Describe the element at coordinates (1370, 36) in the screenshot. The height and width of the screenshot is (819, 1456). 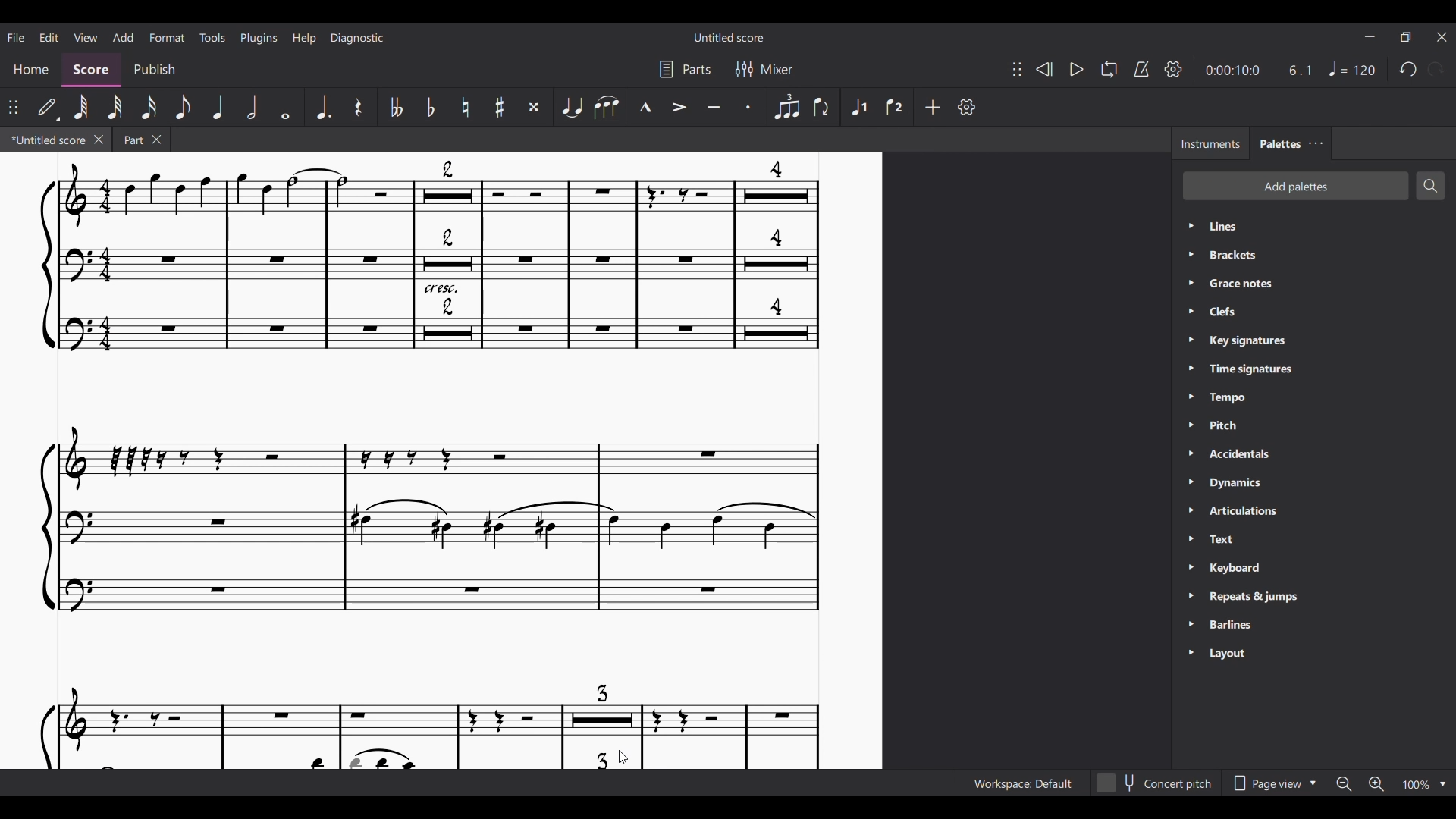
I see `Minimize` at that location.